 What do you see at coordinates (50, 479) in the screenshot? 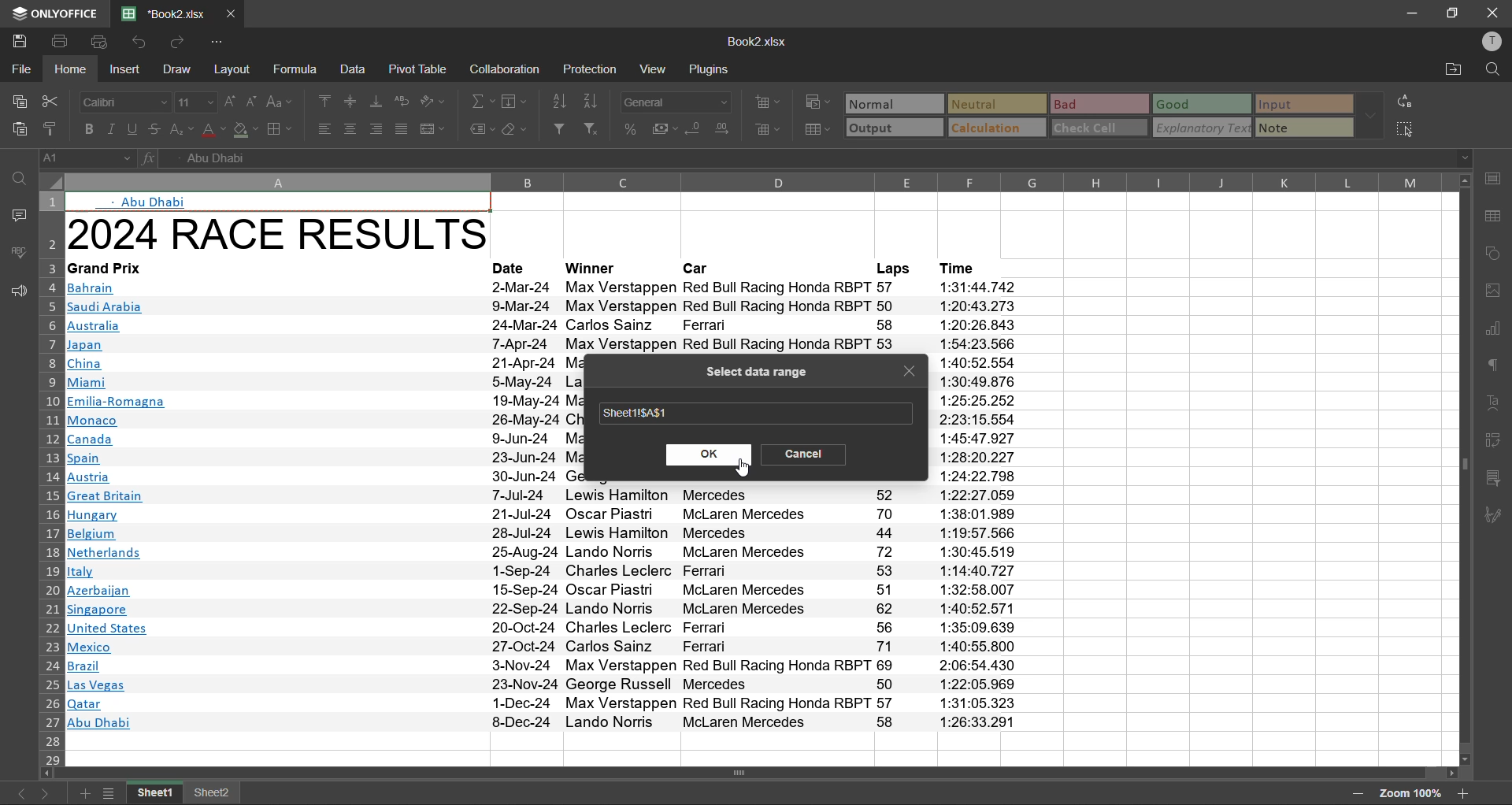
I see `row numbers` at bounding box center [50, 479].